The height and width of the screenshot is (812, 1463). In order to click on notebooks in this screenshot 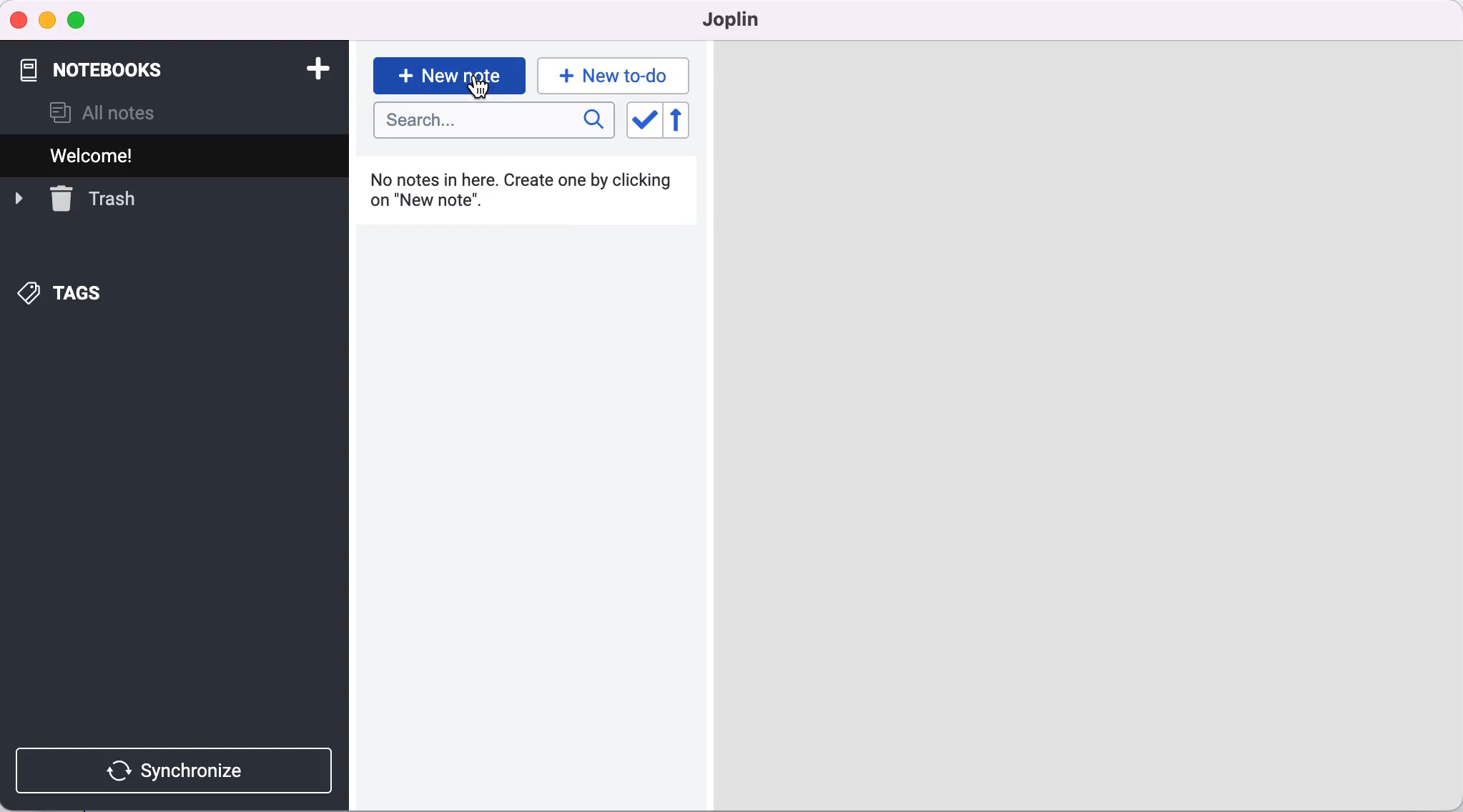, I will do `click(114, 63)`.